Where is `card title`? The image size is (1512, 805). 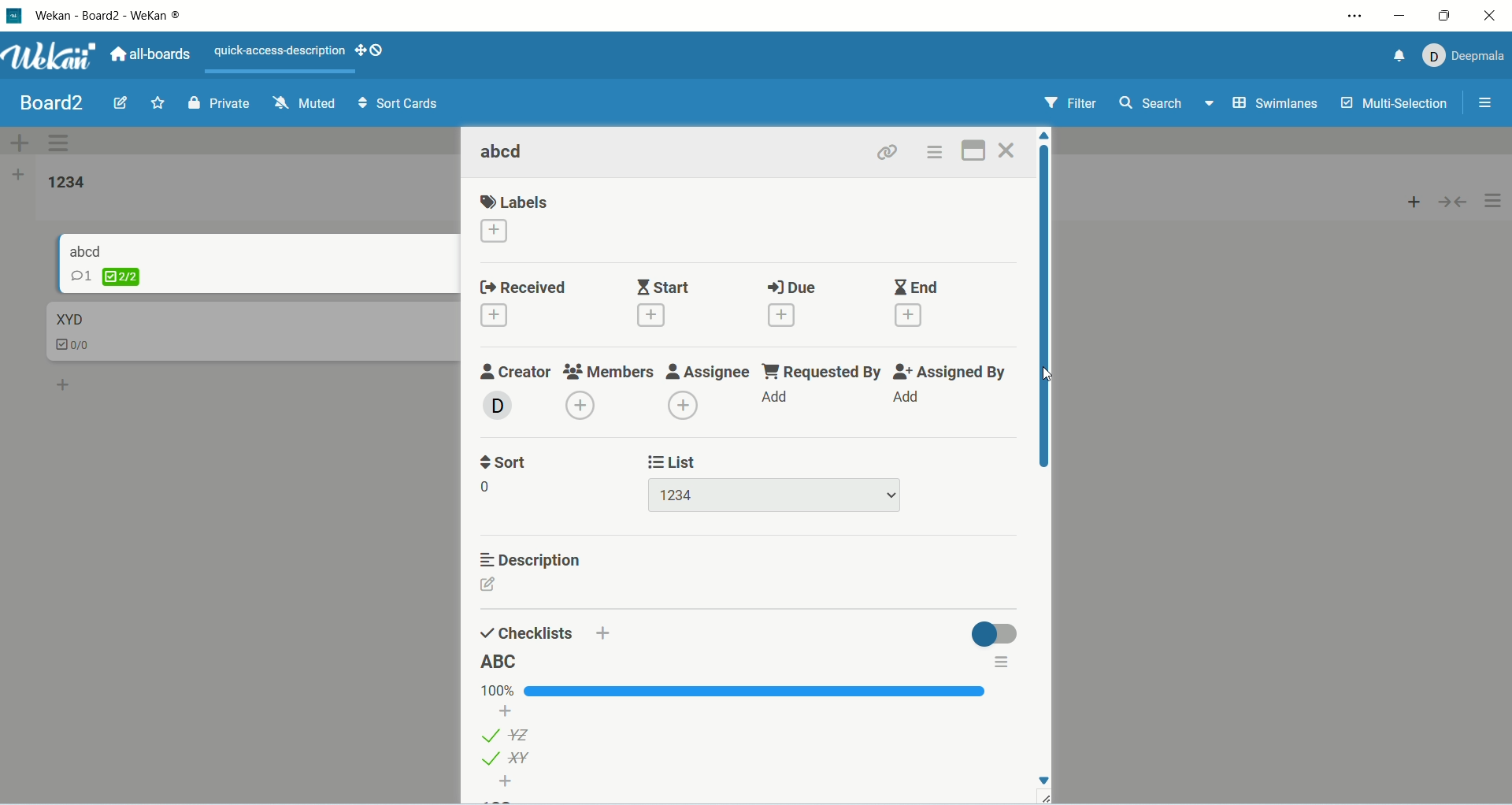
card title is located at coordinates (505, 154).